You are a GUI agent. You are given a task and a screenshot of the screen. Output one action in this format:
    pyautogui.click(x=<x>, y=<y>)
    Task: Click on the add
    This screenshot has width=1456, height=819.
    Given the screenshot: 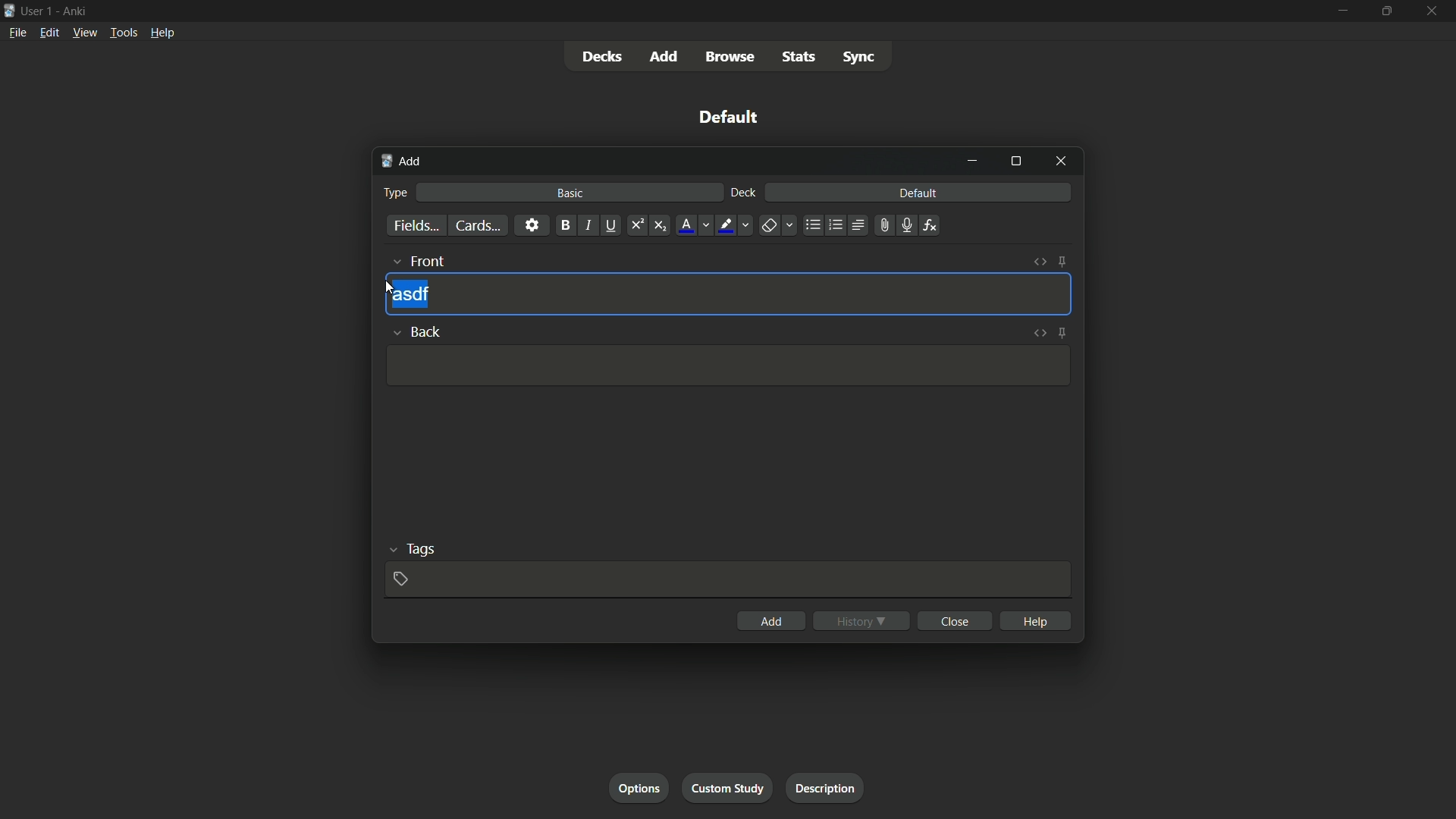 What is the action you would take?
    pyautogui.click(x=772, y=620)
    